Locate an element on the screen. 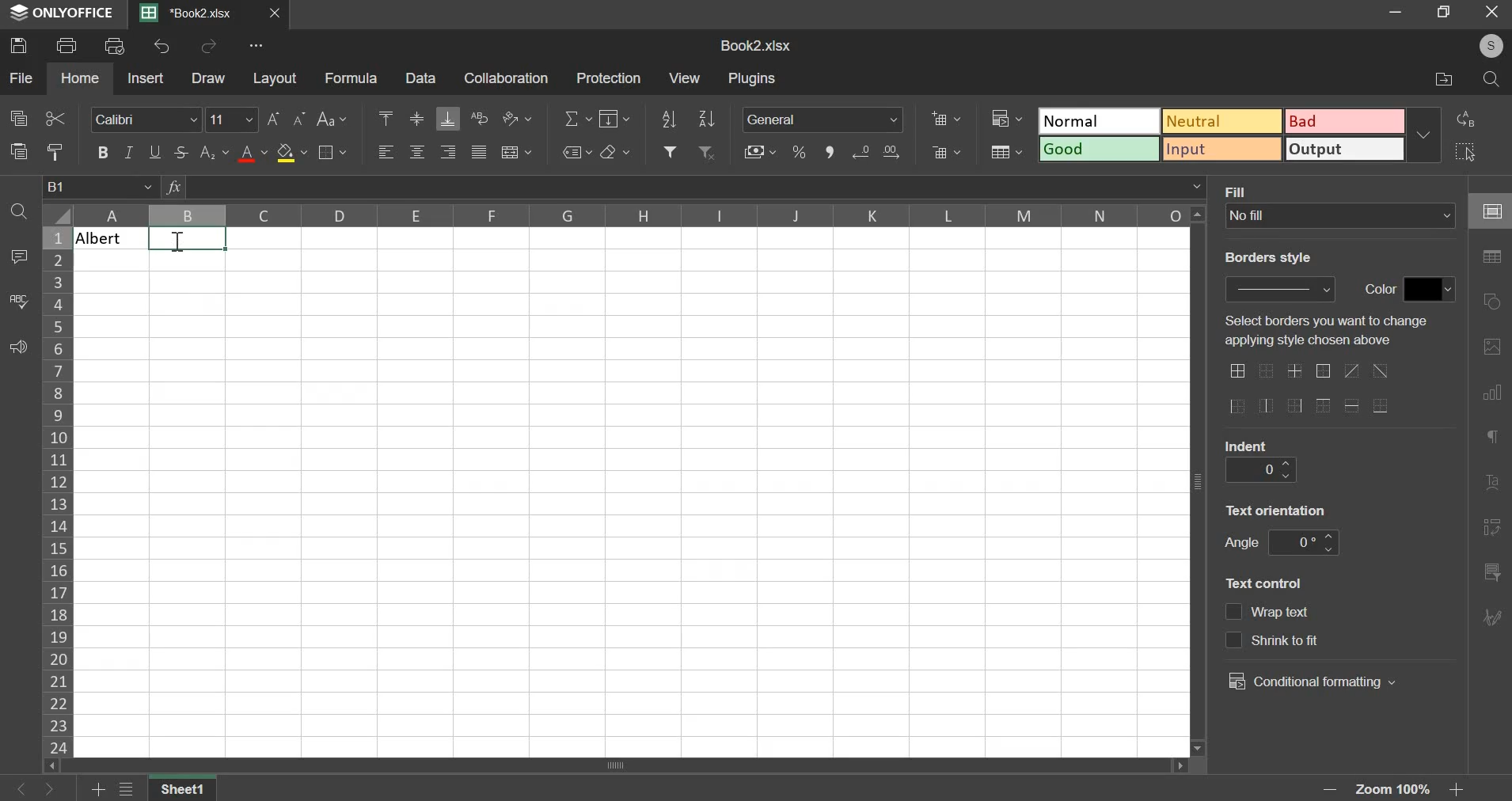 The image size is (1512, 801). shrink to fit is located at coordinates (1276, 641).